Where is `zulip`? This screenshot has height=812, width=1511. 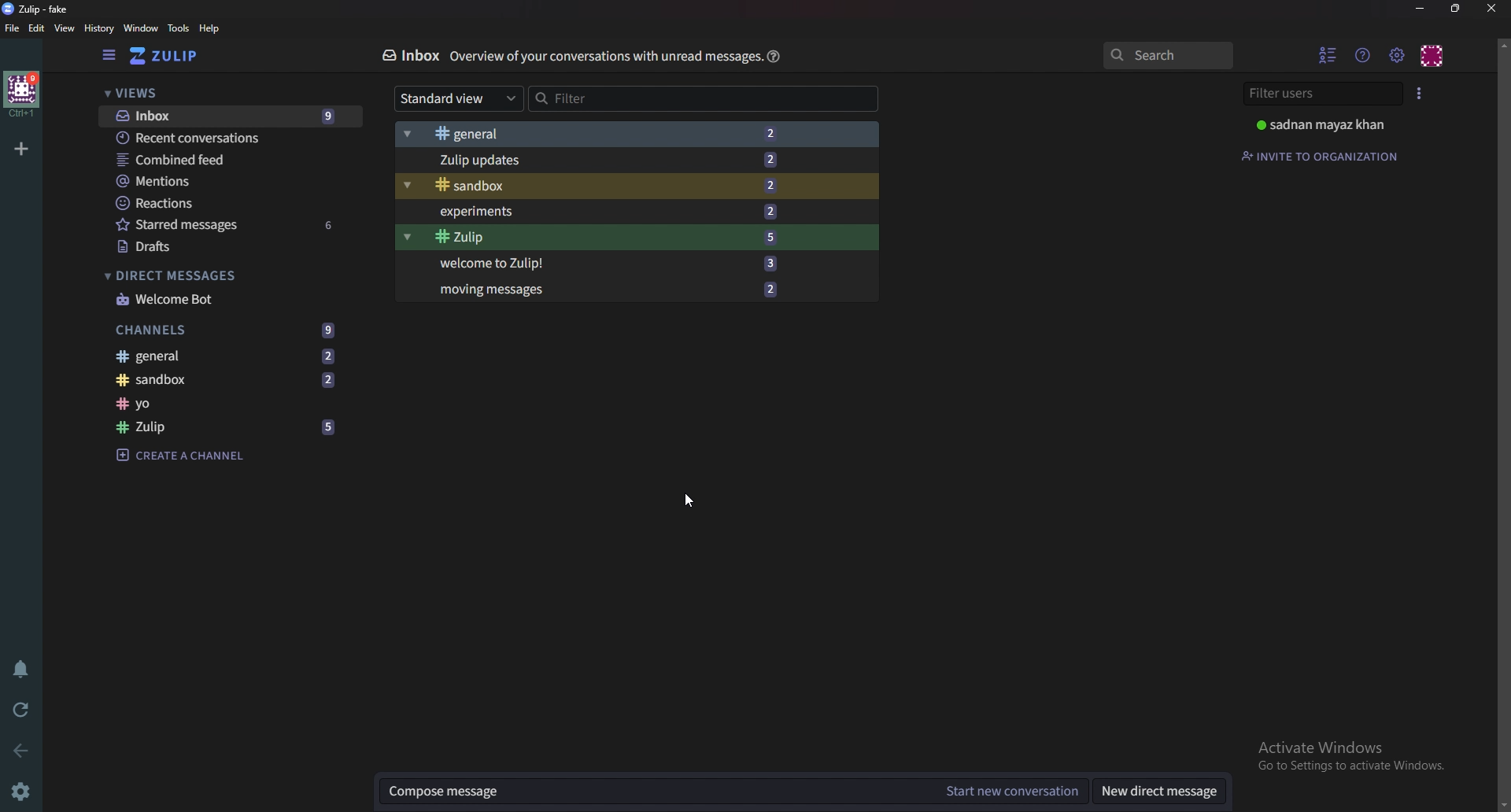
zulip is located at coordinates (41, 9).